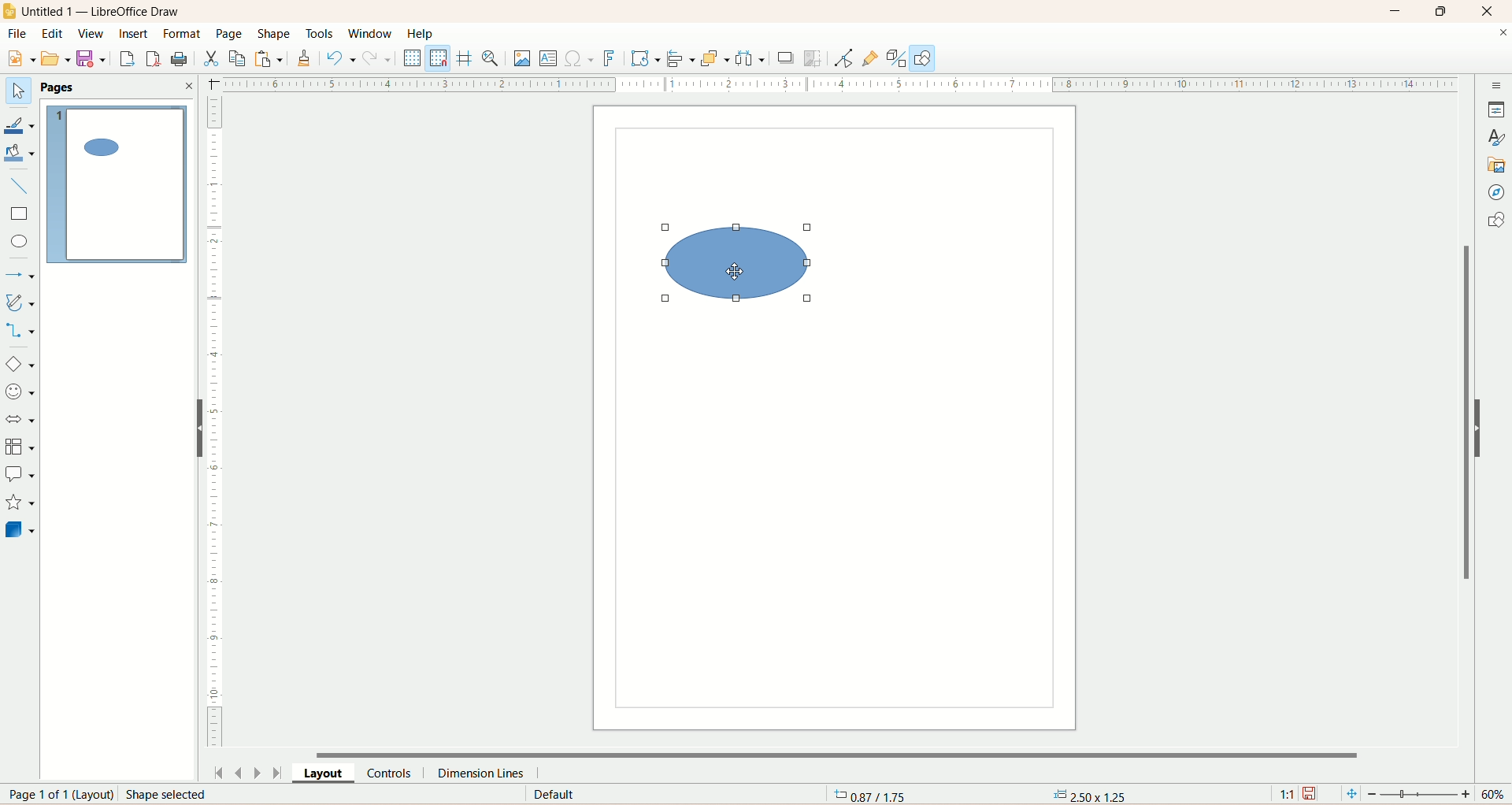 Image resolution: width=1512 pixels, height=805 pixels. Describe the element at coordinates (185, 60) in the screenshot. I see `print` at that location.